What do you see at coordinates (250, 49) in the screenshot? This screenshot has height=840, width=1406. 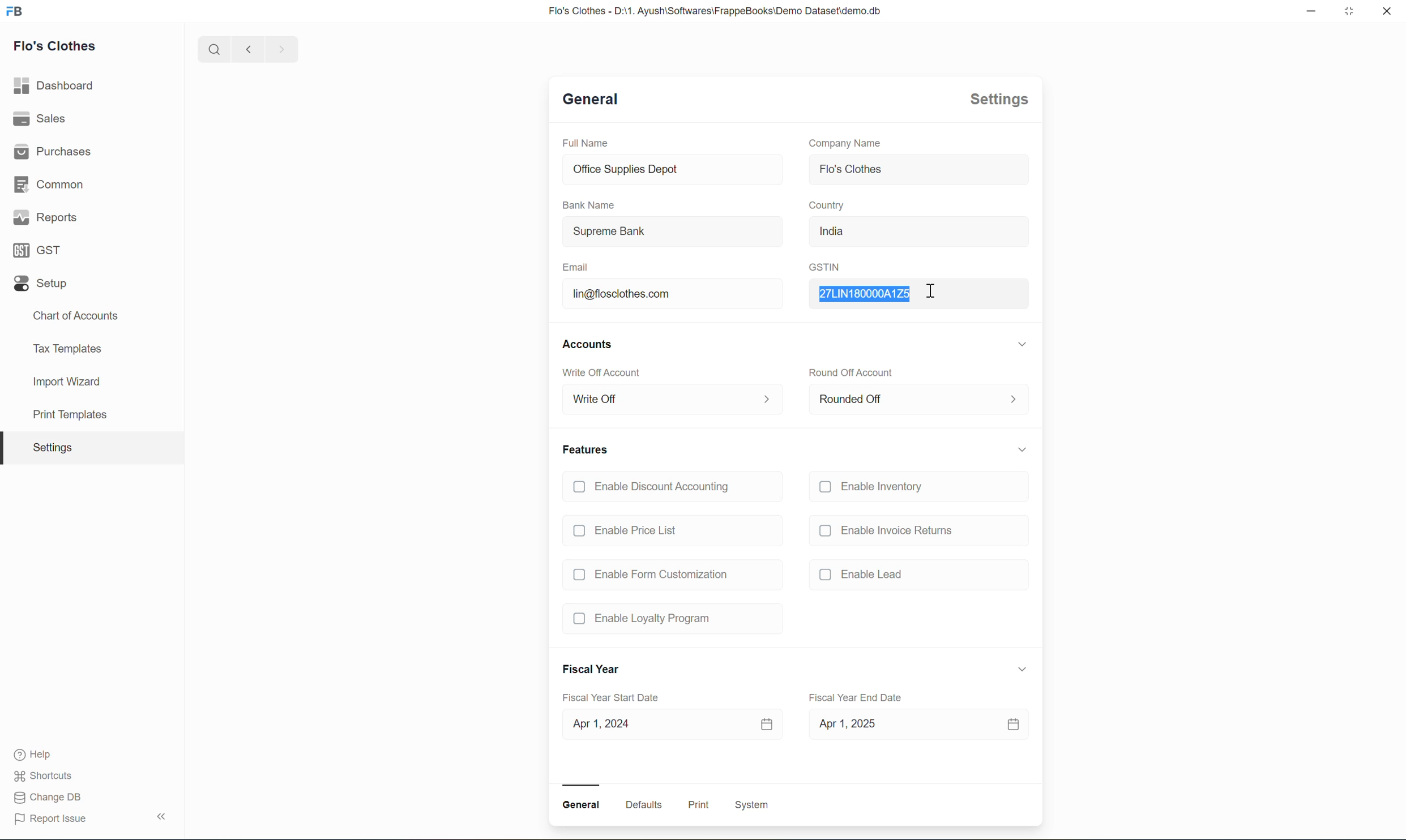 I see `backward` at bounding box center [250, 49].